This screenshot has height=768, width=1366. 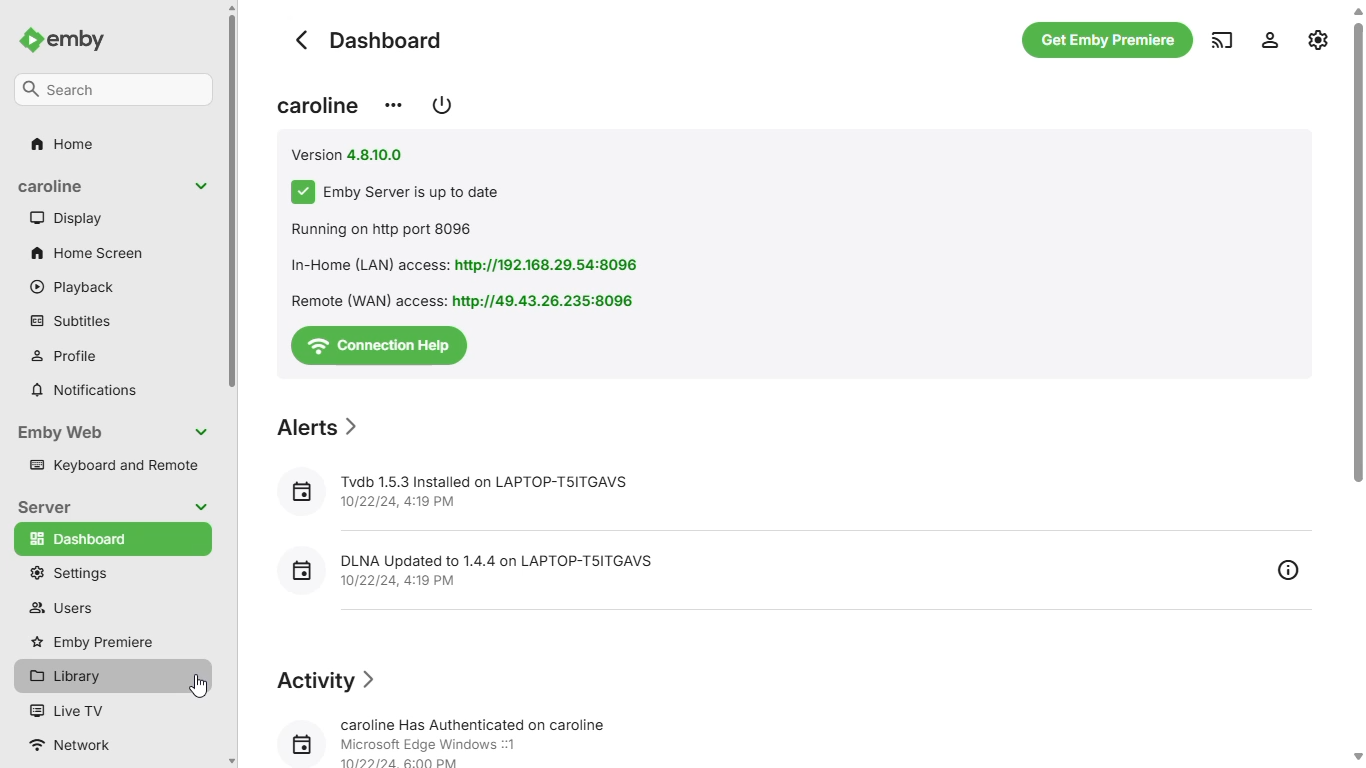 I want to click on library, so click(x=89, y=677).